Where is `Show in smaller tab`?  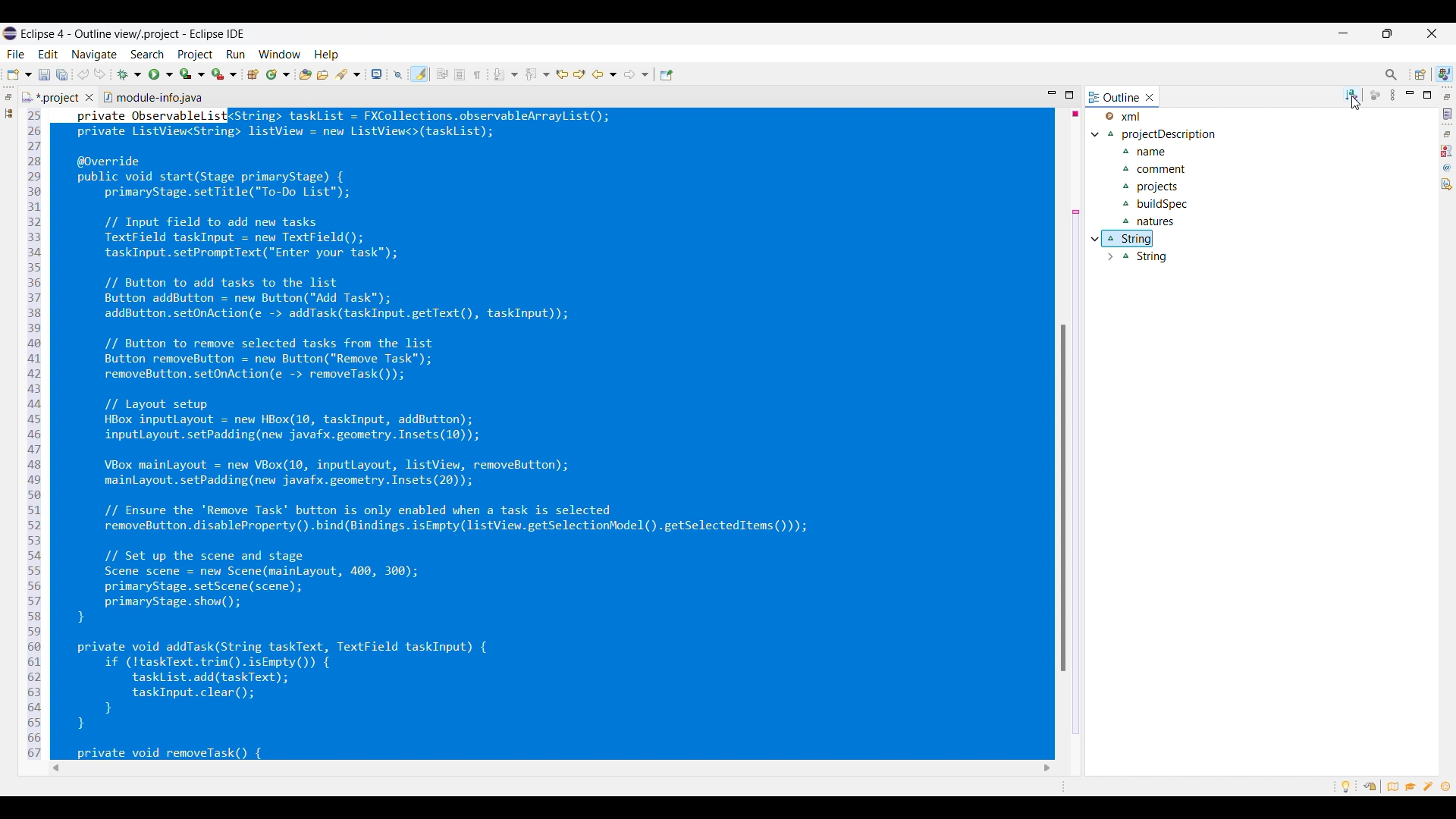
Show in smaller tab is located at coordinates (1387, 33).